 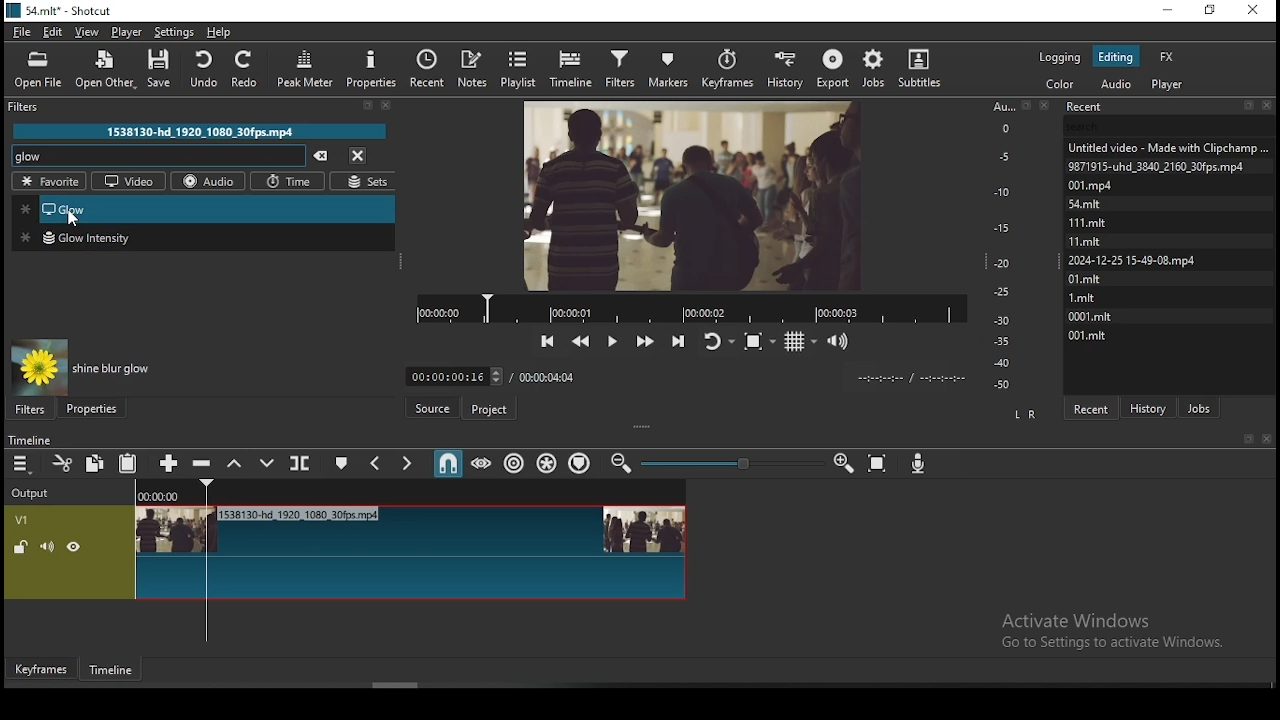 What do you see at coordinates (219, 32) in the screenshot?
I see `help` at bounding box center [219, 32].